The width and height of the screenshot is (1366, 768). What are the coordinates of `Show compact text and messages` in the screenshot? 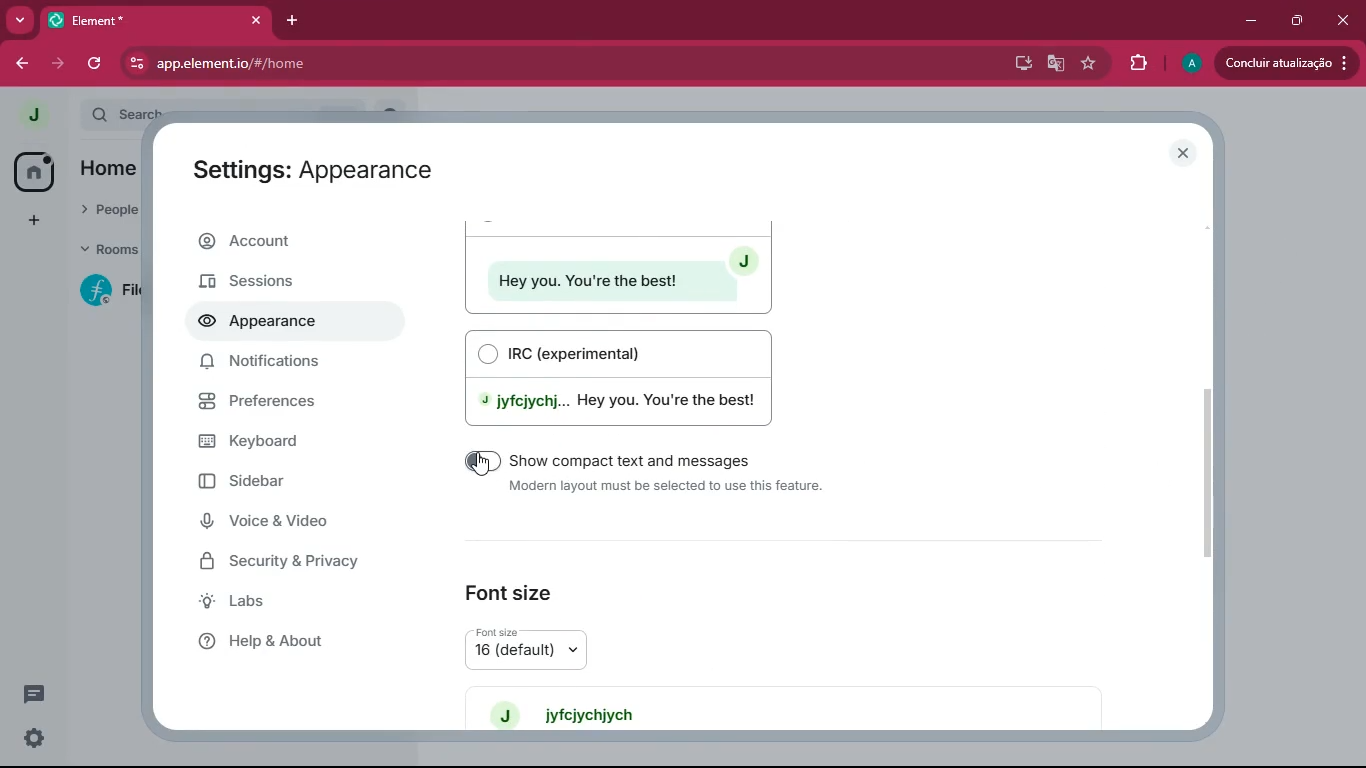 It's located at (640, 460).